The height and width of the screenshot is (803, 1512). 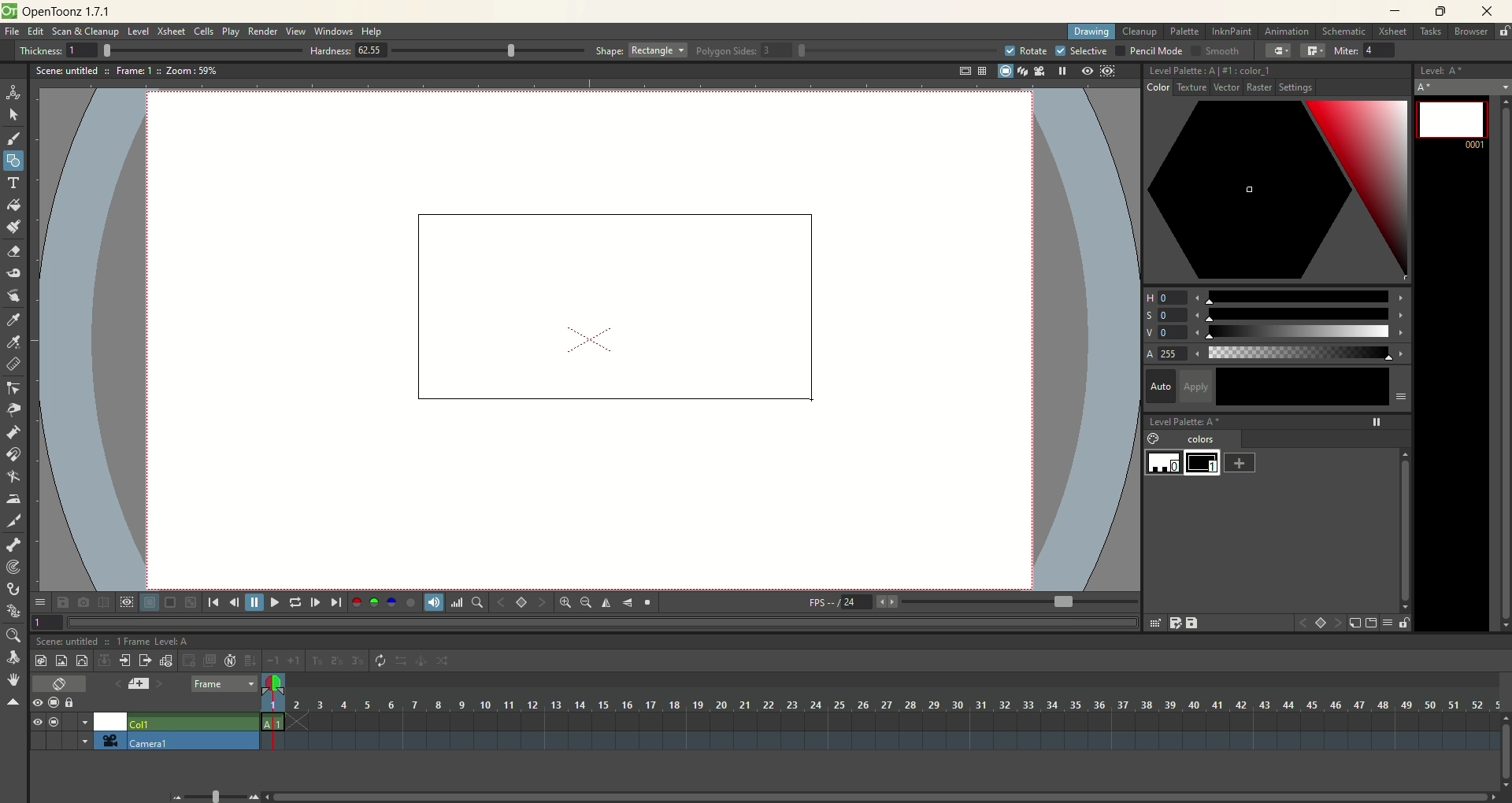 What do you see at coordinates (339, 661) in the screenshot?
I see `reframe on 2's` at bounding box center [339, 661].